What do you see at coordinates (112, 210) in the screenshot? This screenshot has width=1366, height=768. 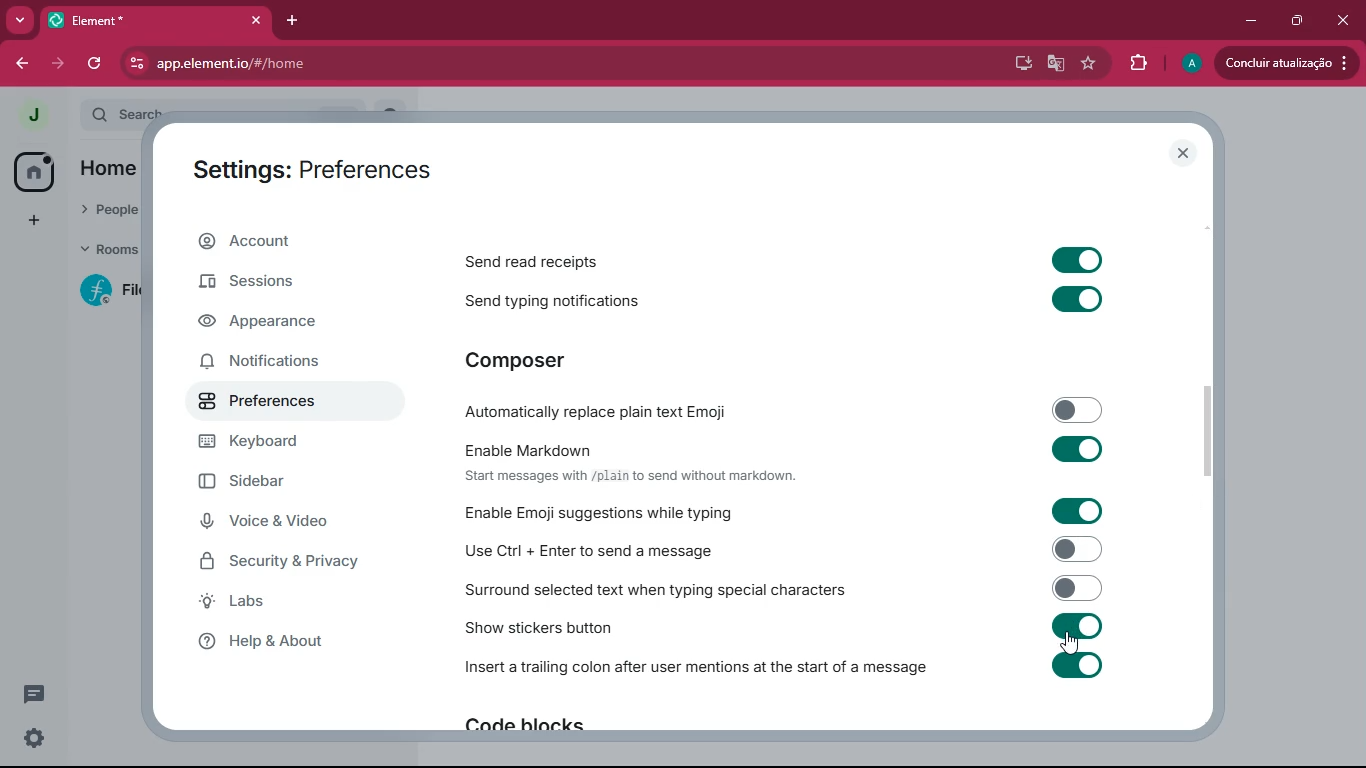 I see `people` at bounding box center [112, 210].